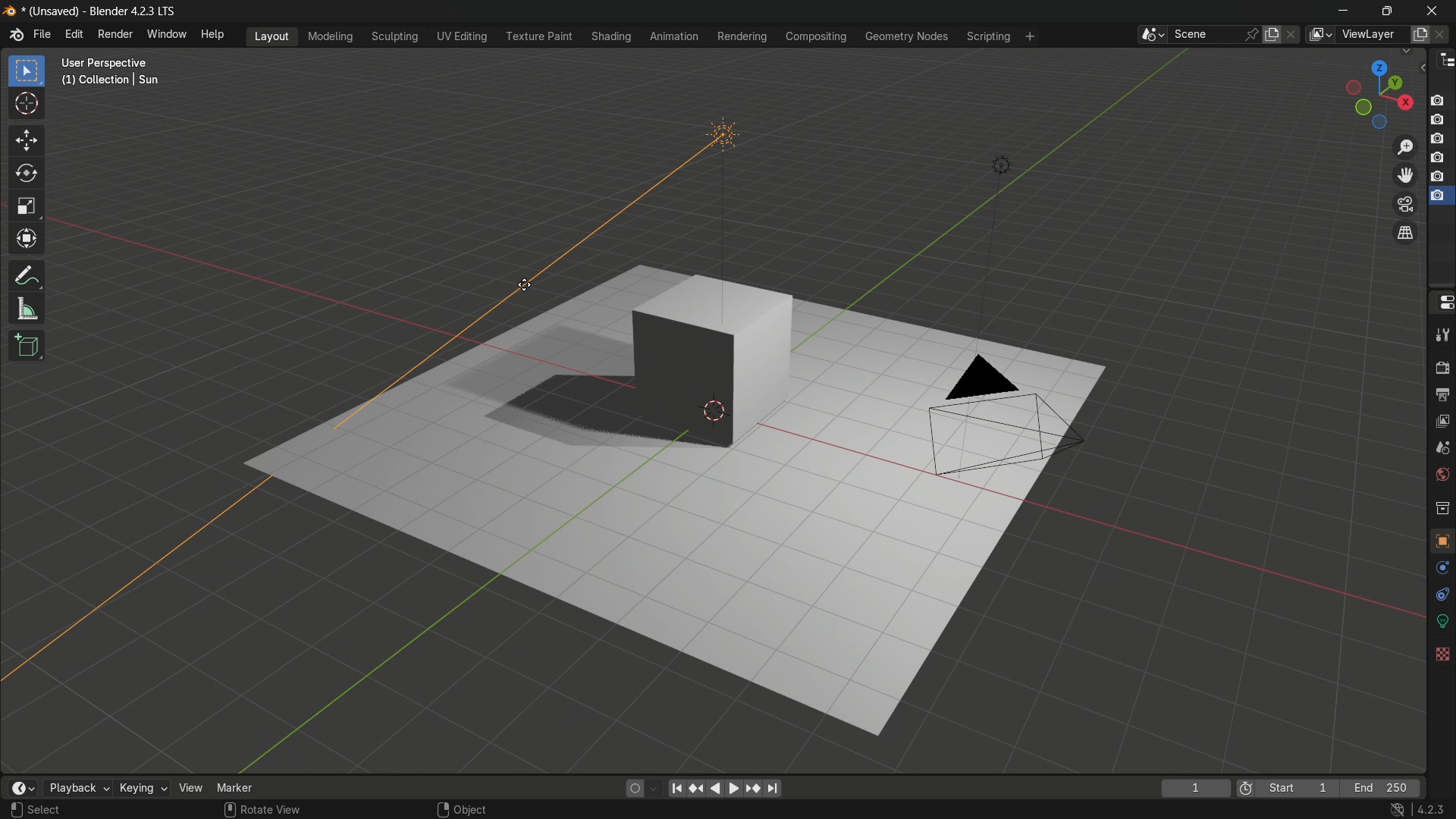 This screenshot has height=819, width=1456. What do you see at coordinates (274, 36) in the screenshot?
I see `layout` at bounding box center [274, 36].